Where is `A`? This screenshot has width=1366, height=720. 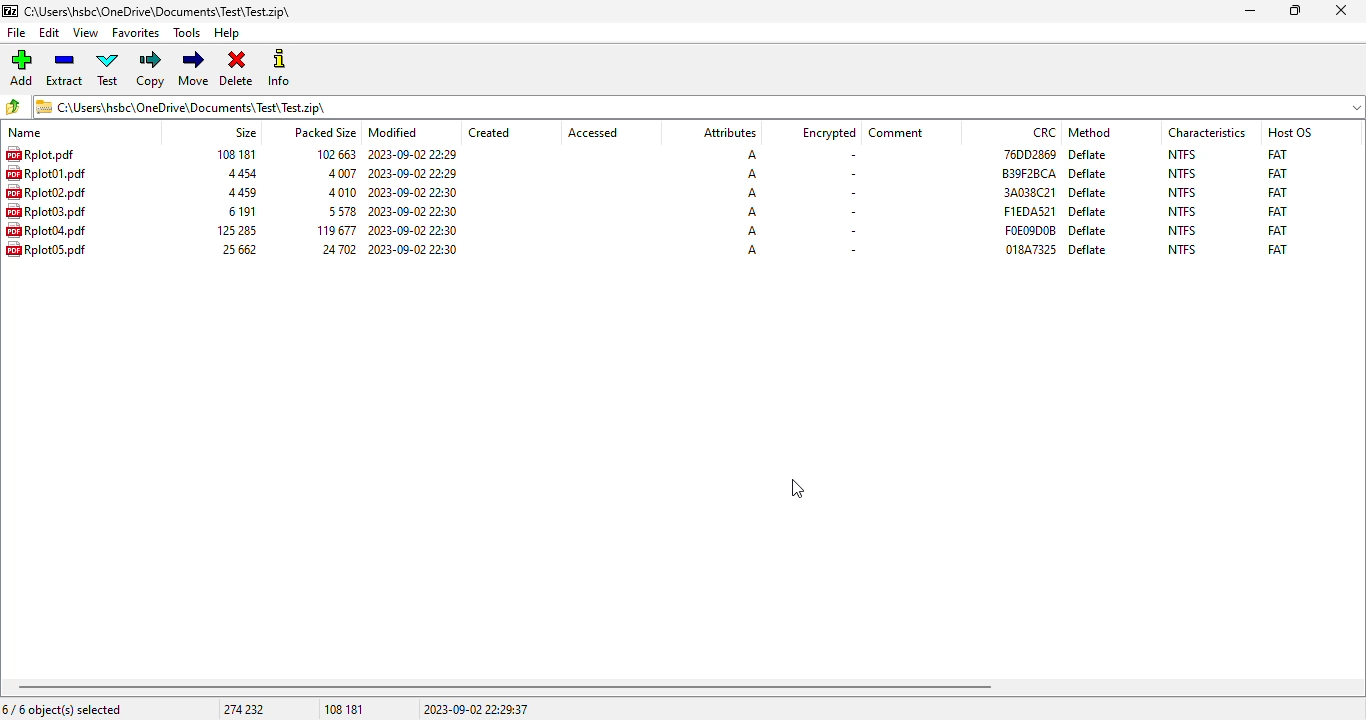 A is located at coordinates (752, 193).